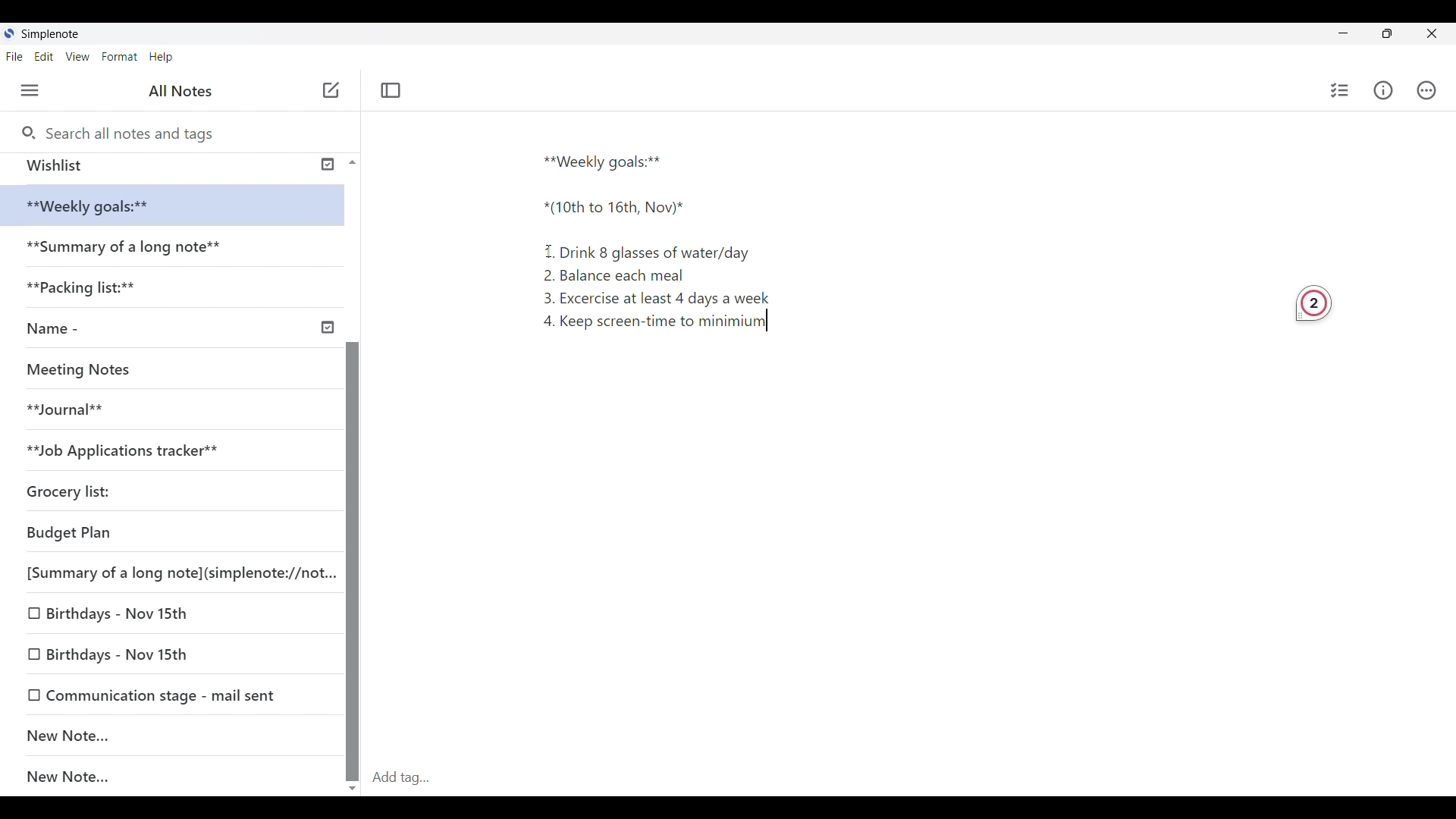  Describe the element at coordinates (331, 89) in the screenshot. I see `New note` at that location.